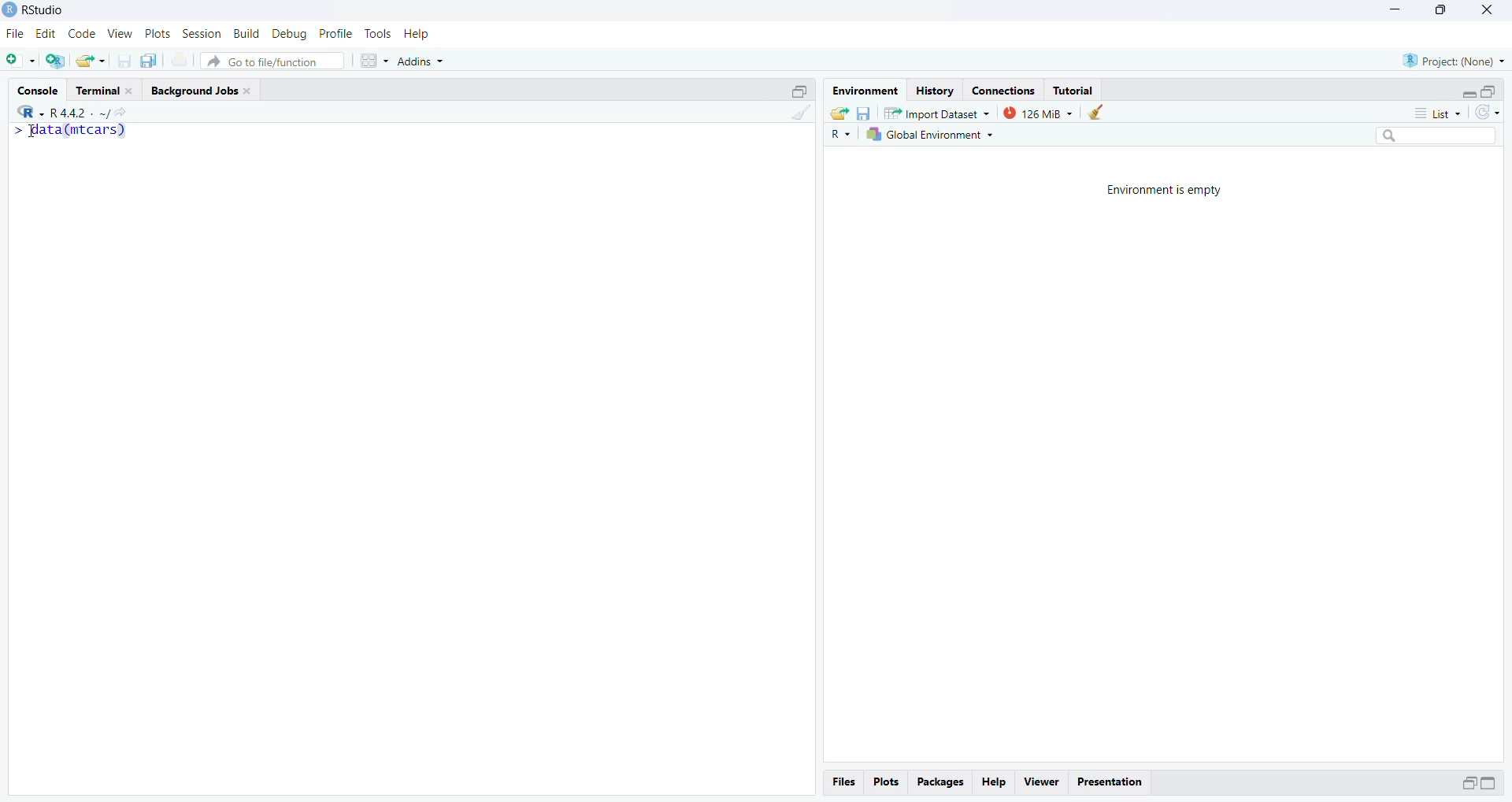  I want to click on save, so click(862, 112).